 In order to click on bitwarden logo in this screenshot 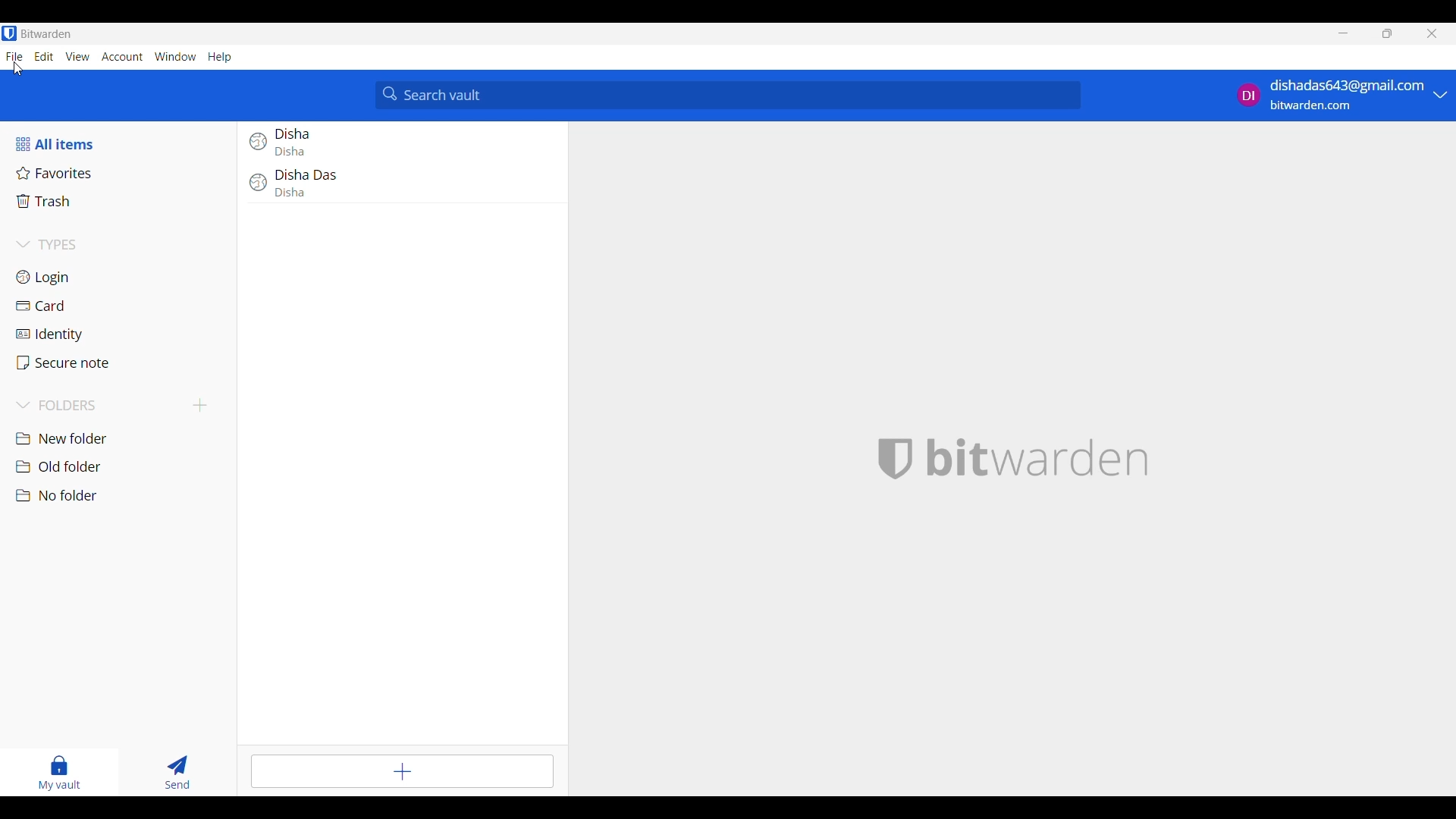, I will do `click(897, 457)`.